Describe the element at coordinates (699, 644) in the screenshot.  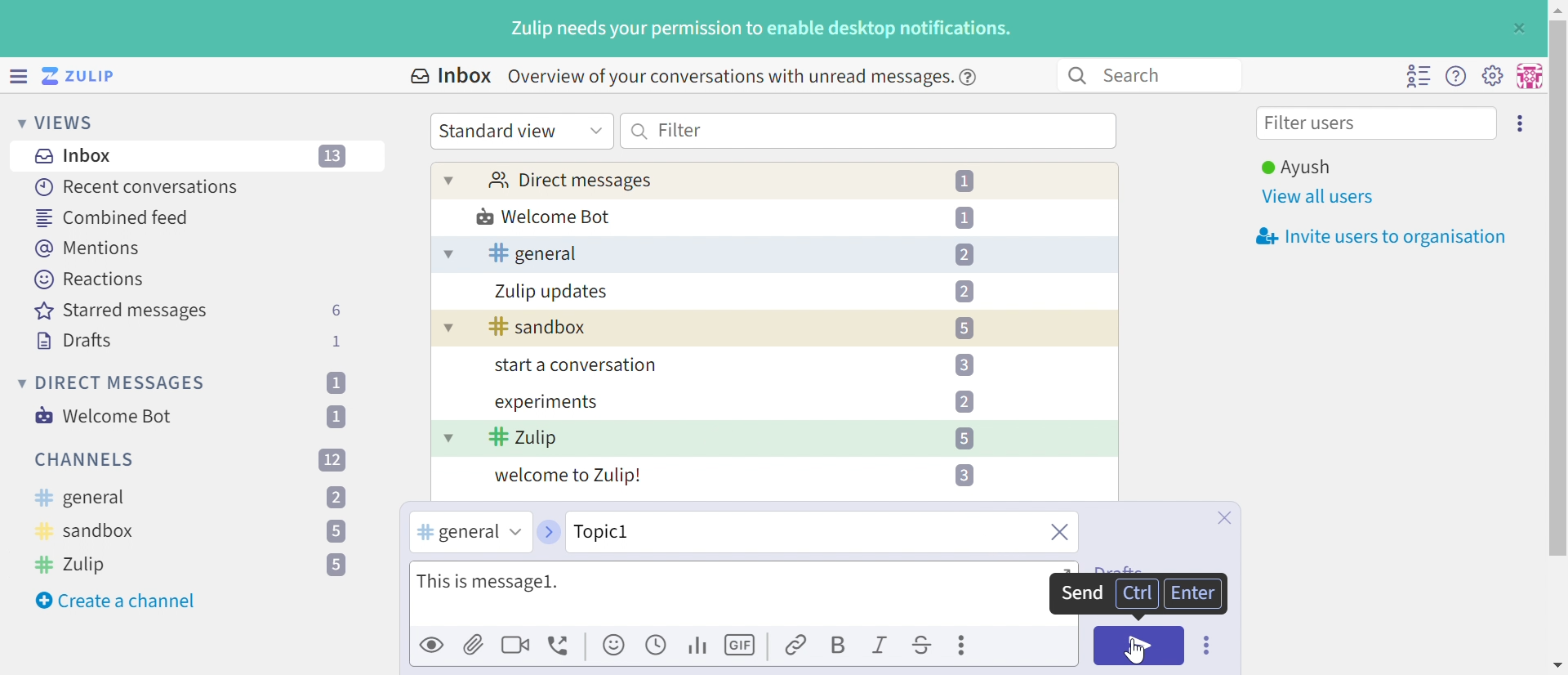
I see `Polls` at that location.